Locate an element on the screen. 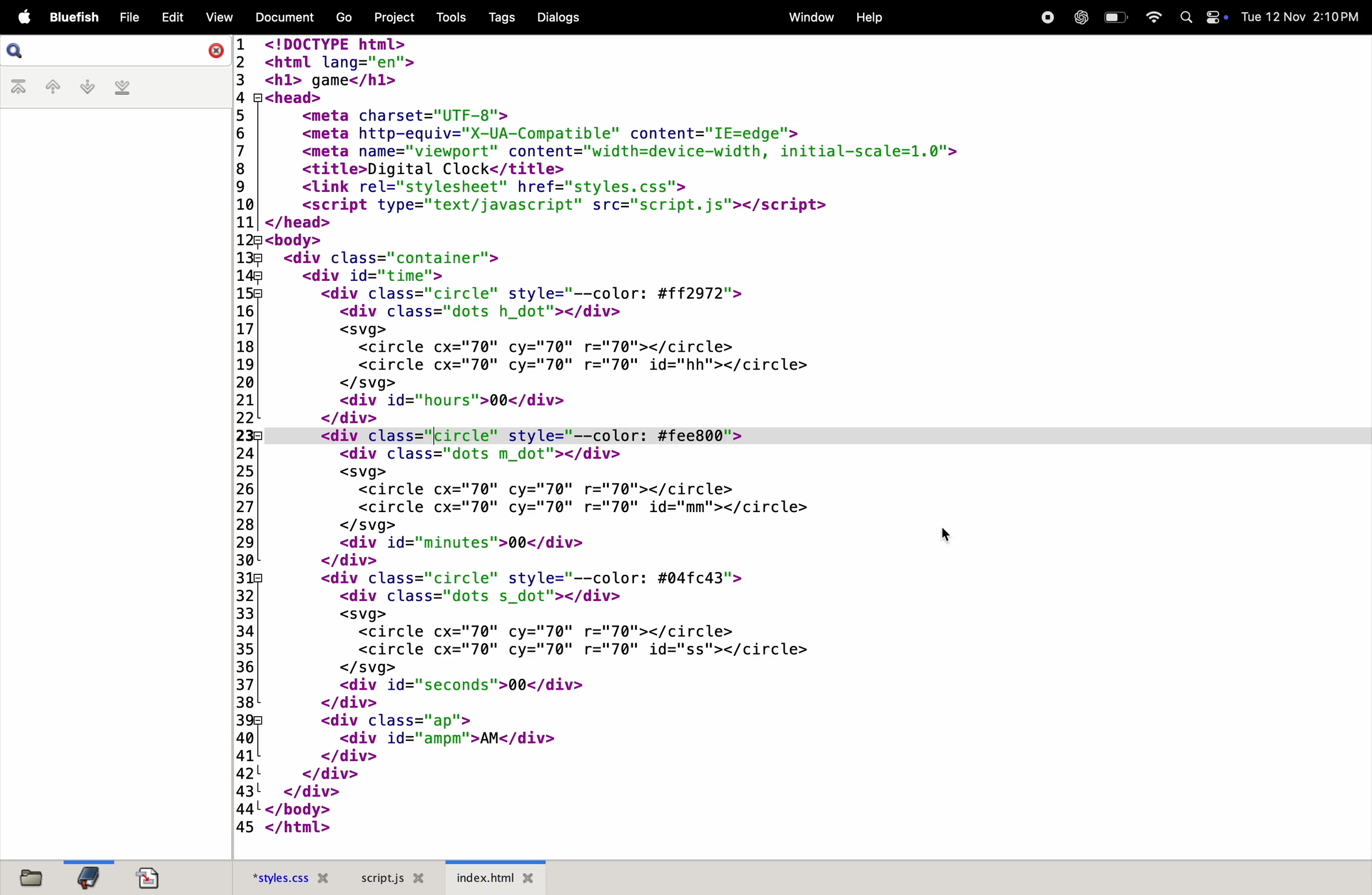 The height and width of the screenshot is (895, 1372). files is located at coordinates (29, 876).